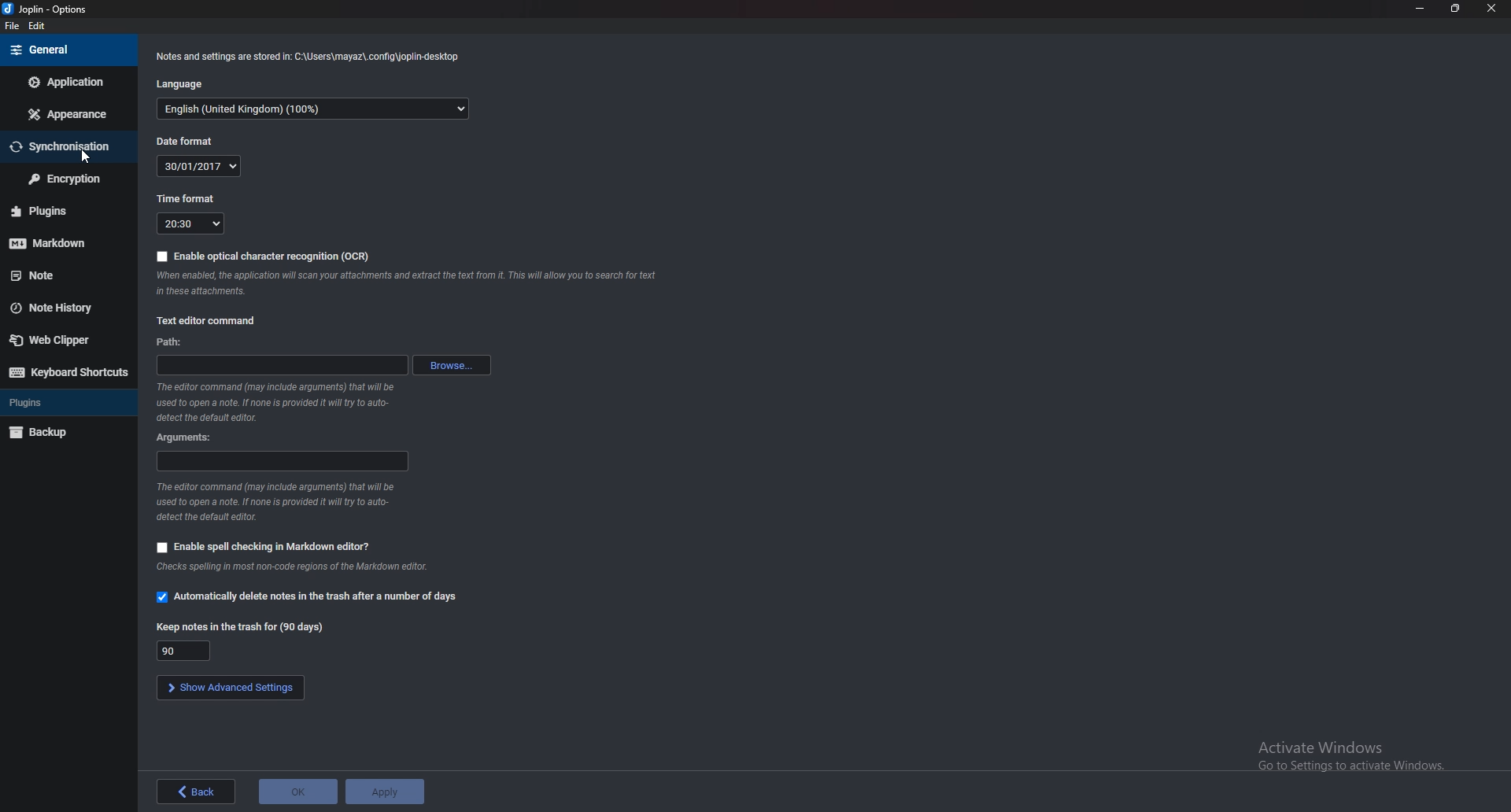  I want to click on web clipper, so click(62, 340).